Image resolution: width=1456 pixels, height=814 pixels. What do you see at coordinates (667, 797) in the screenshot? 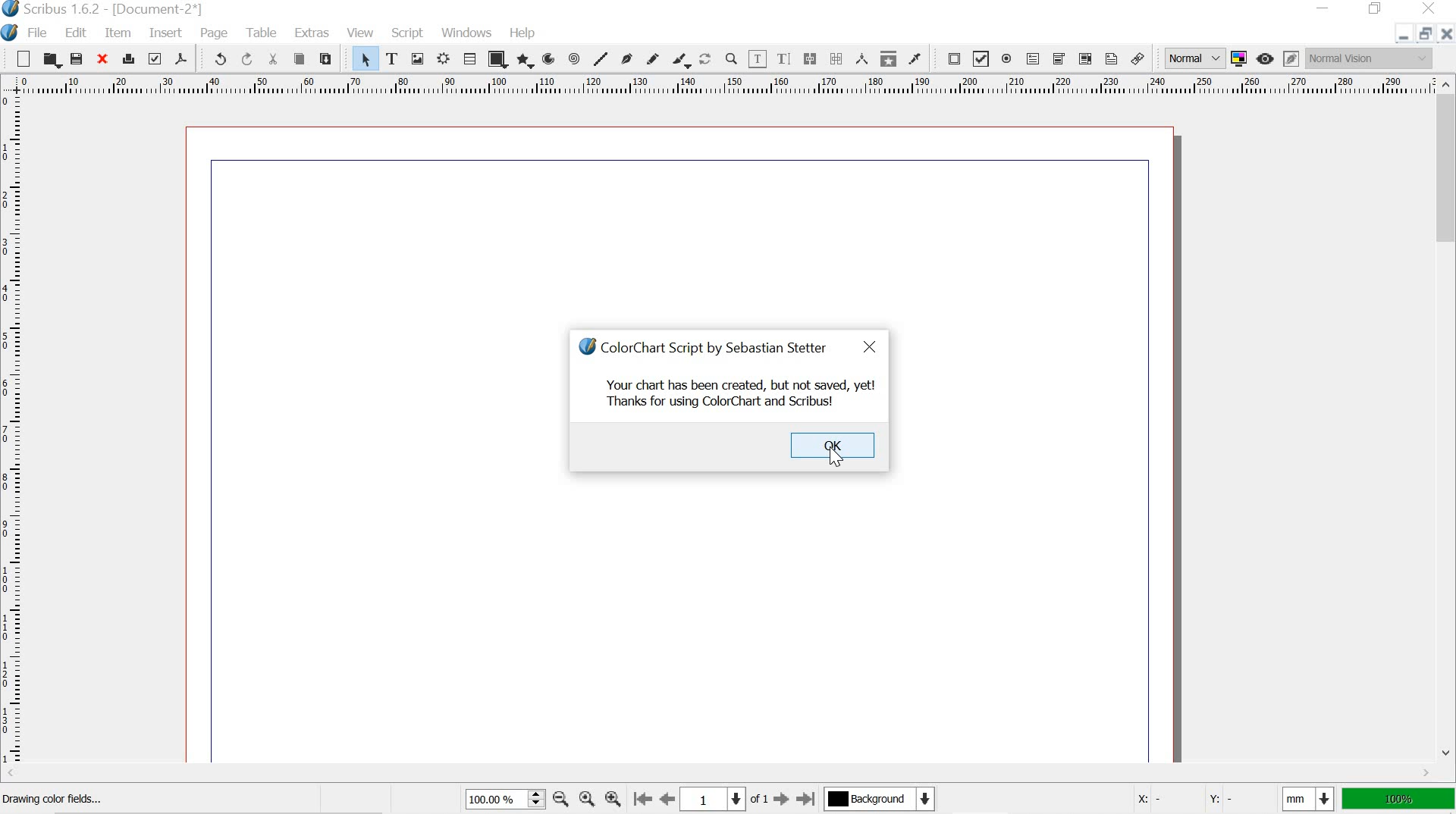
I see `Previous page` at bounding box center [667, 797].